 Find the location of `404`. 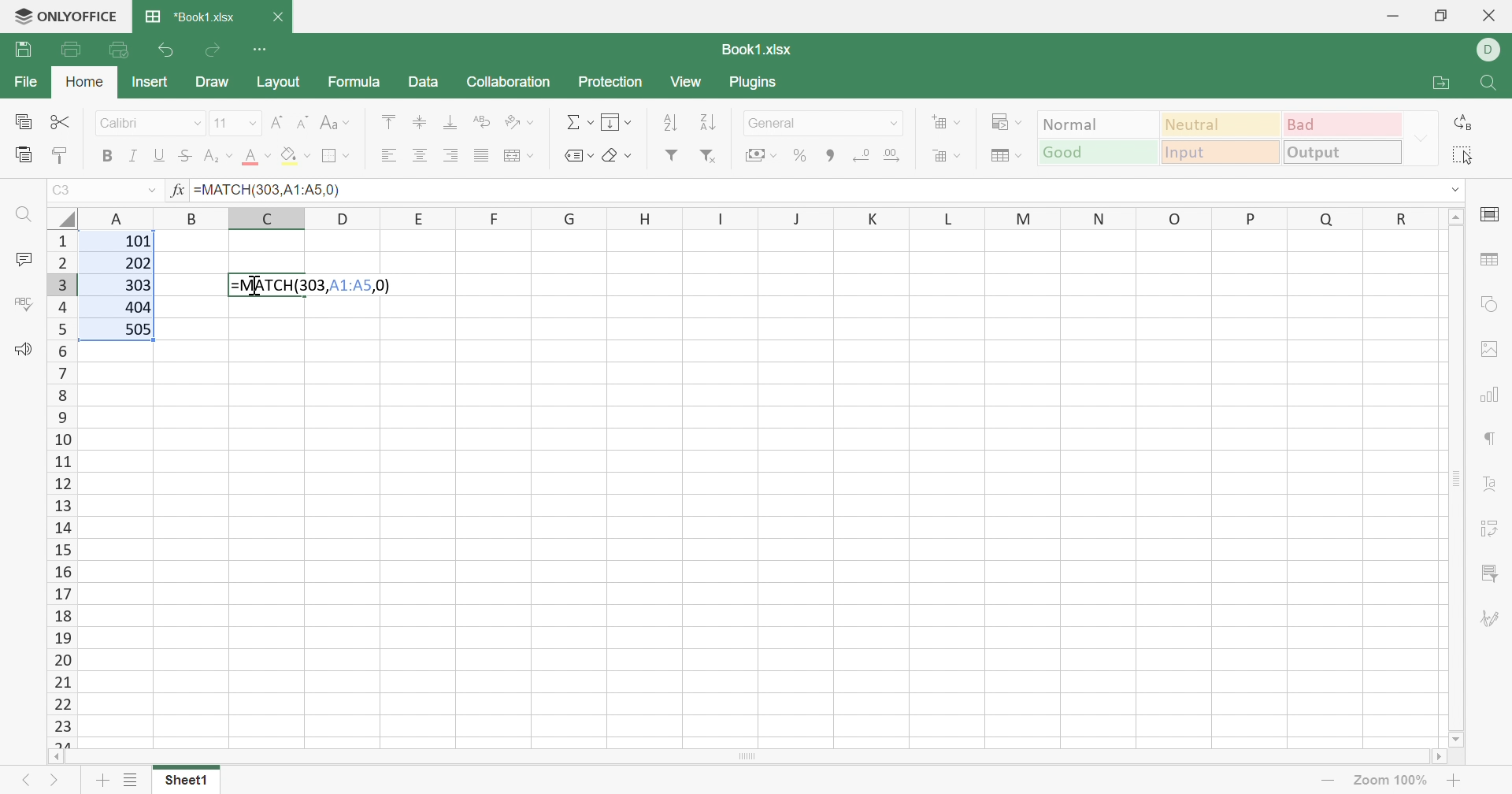

404 is located at coordinates (136, 307).